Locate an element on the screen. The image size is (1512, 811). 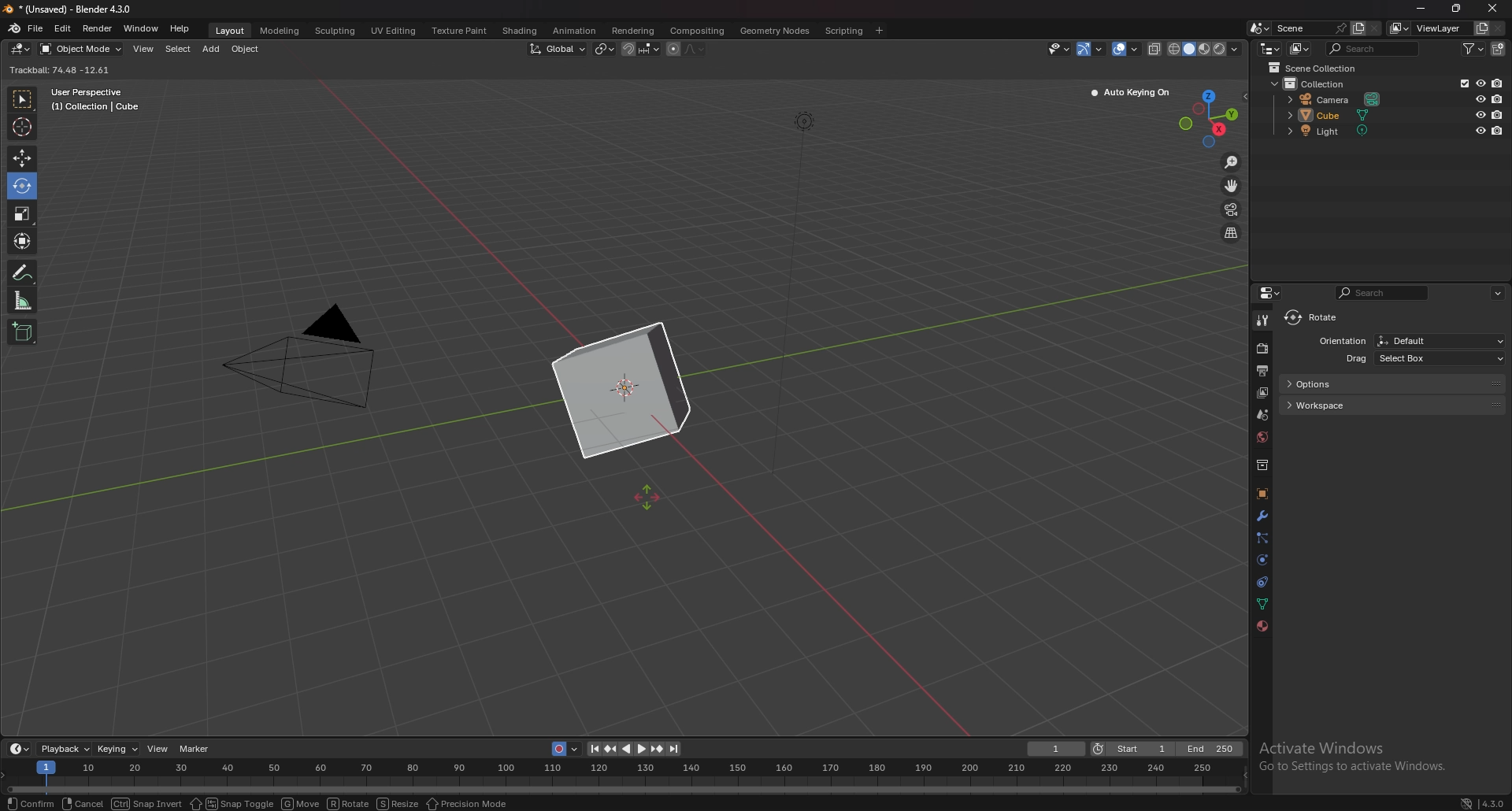
add scene is located at coordinates (1358, 28).